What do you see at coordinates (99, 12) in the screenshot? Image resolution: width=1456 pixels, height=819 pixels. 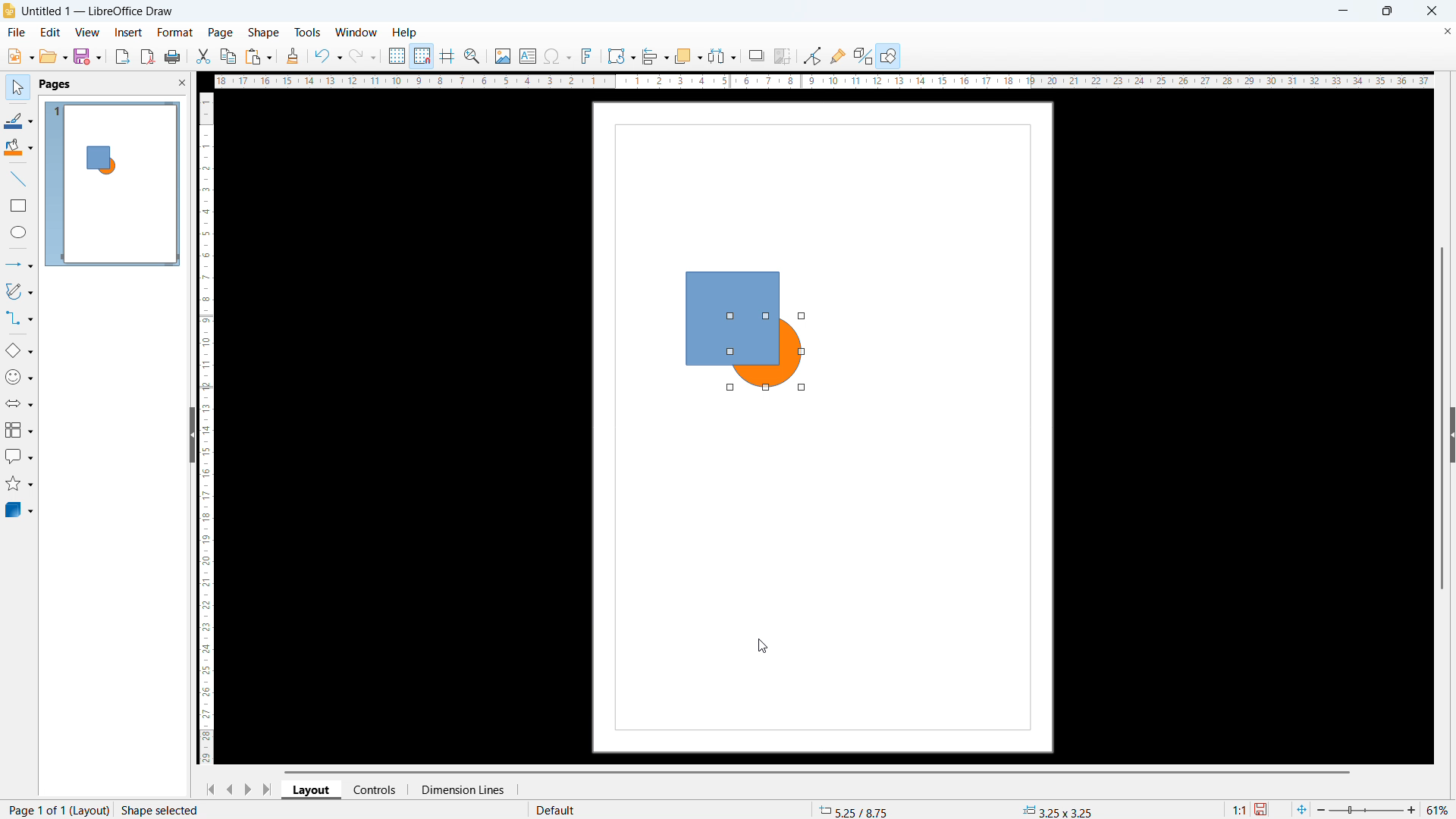 I see `Document title ` at bounding box center [99, 12].